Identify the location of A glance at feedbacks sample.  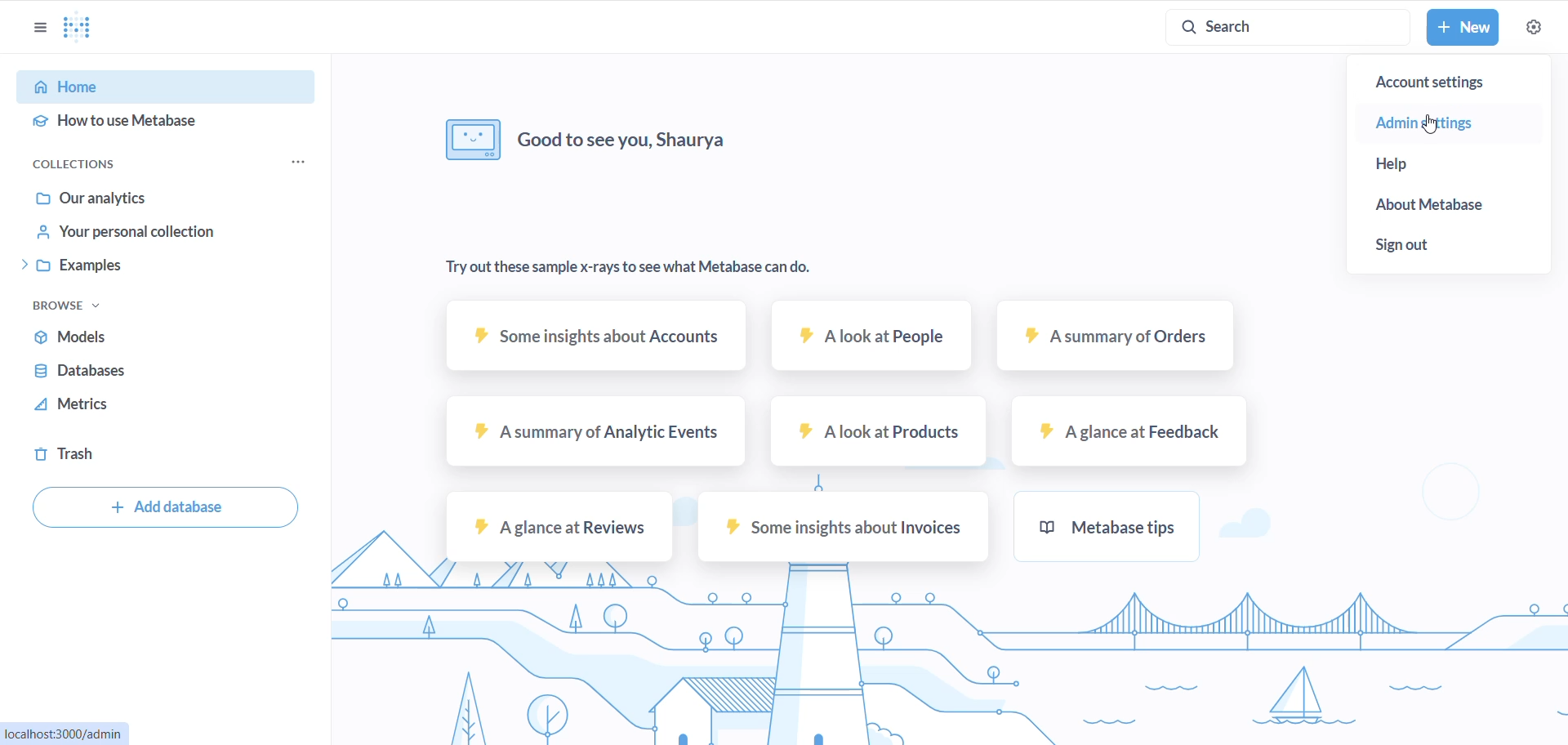
(1129, 432).